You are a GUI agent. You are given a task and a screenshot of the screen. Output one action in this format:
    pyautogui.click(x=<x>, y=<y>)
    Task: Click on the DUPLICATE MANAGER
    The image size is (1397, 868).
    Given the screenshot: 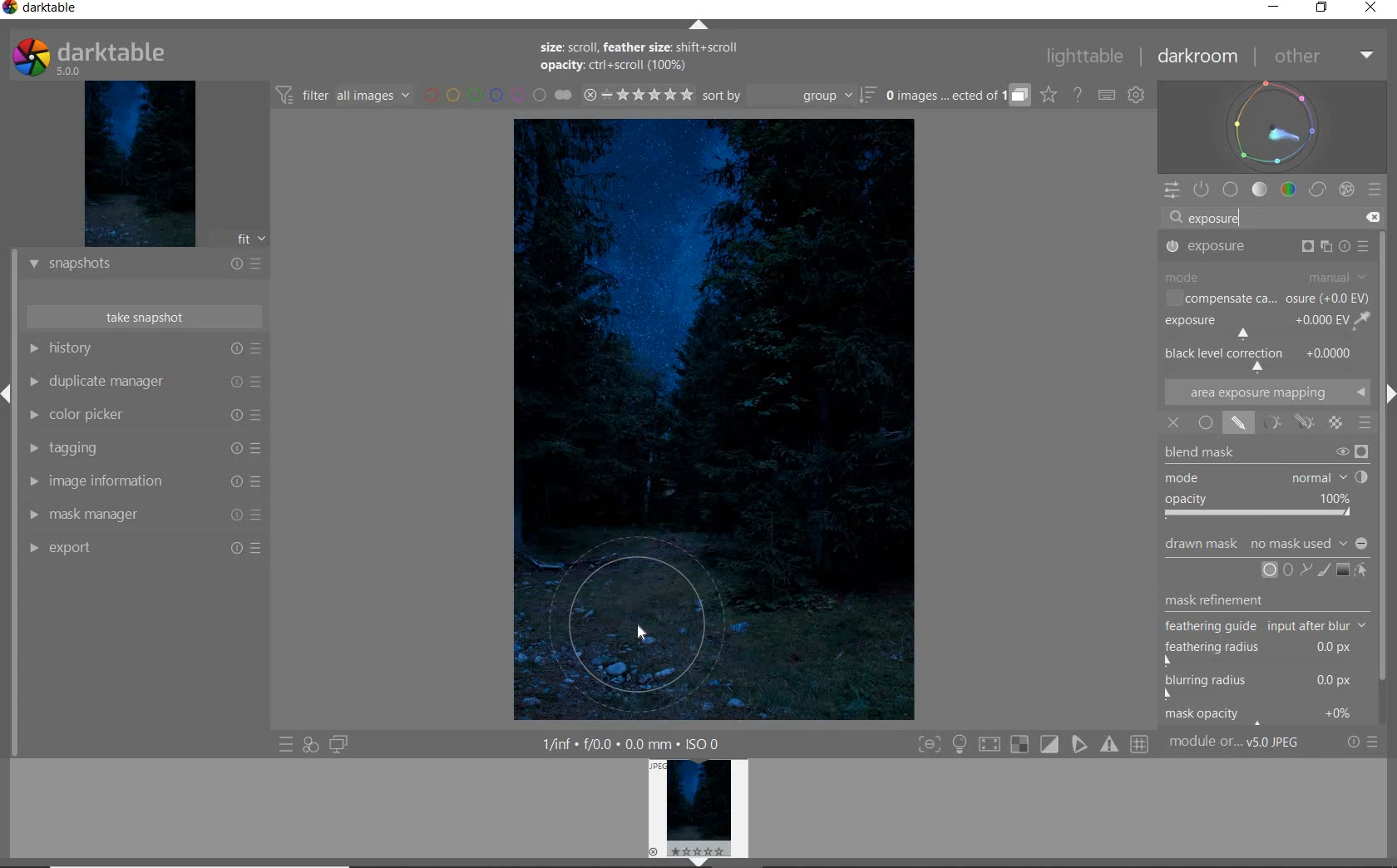 What is the action you would take?
    pyautogui.click(x=143, y=382)
    